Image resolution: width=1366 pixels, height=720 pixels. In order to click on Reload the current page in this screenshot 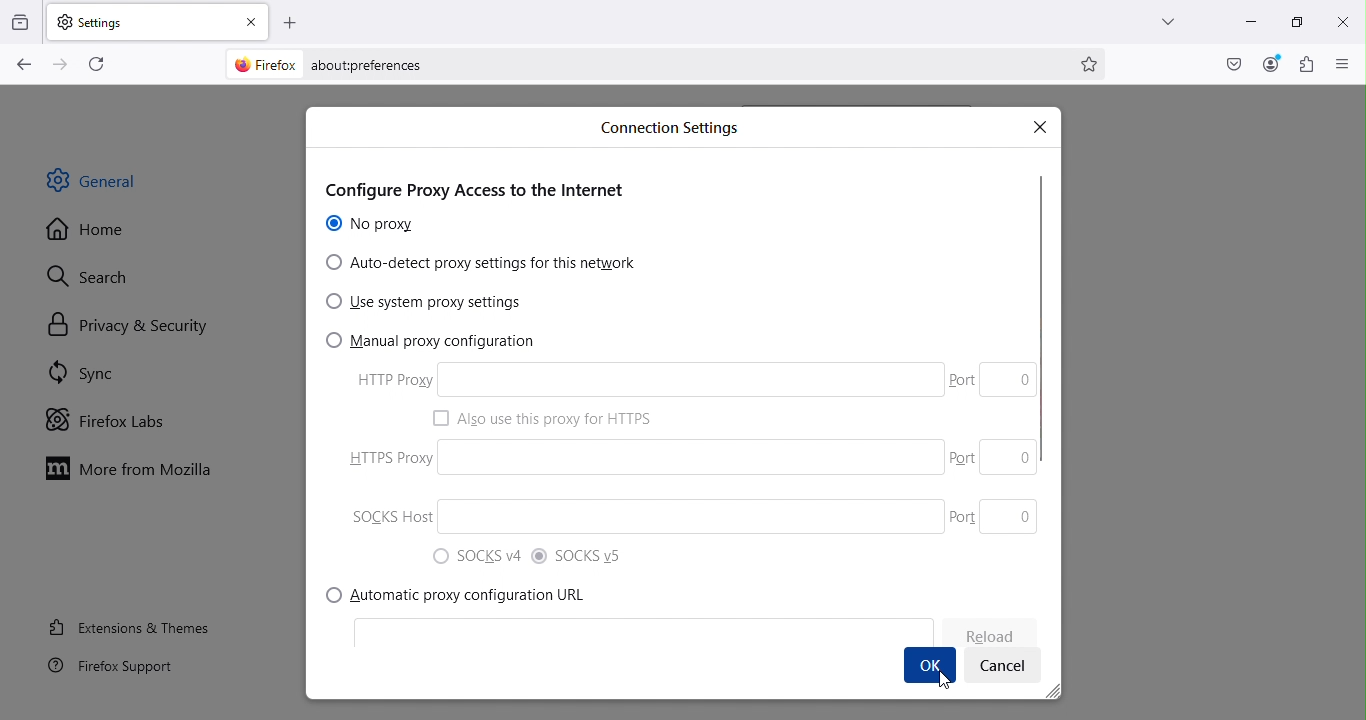, I will do `click(93, 63)`.